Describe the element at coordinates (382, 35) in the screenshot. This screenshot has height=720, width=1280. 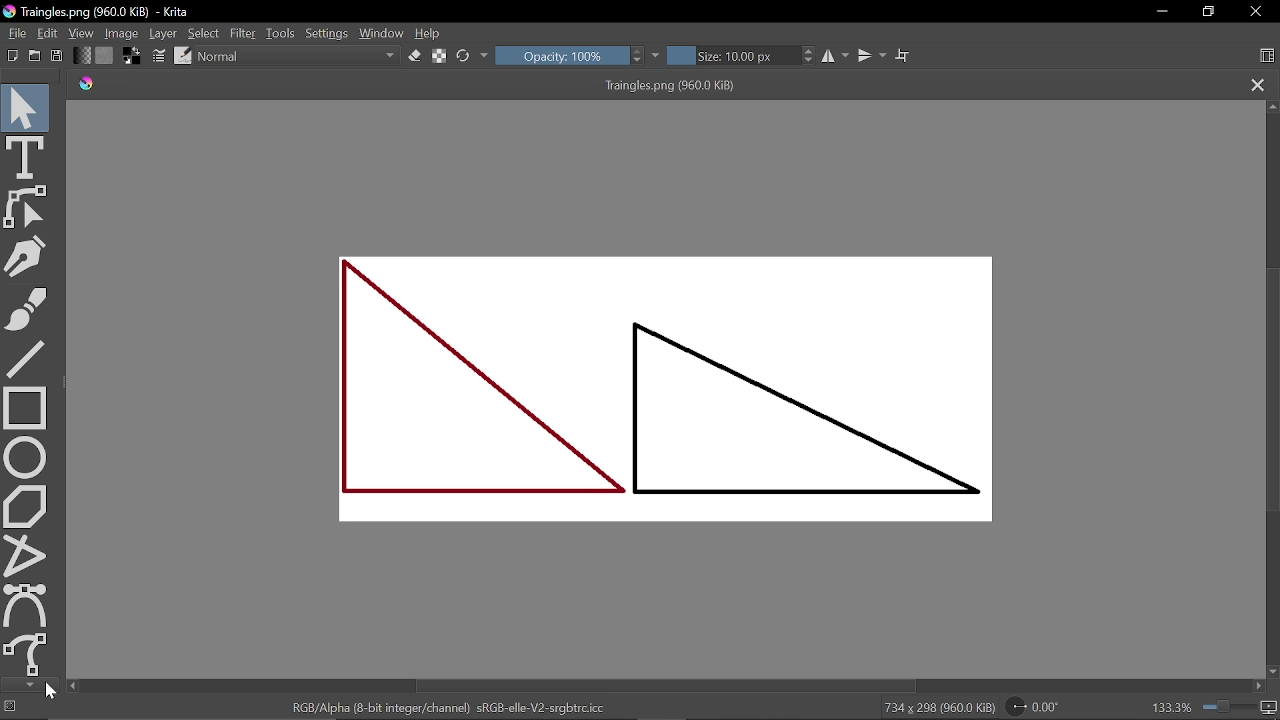
I see `Window` at that location.